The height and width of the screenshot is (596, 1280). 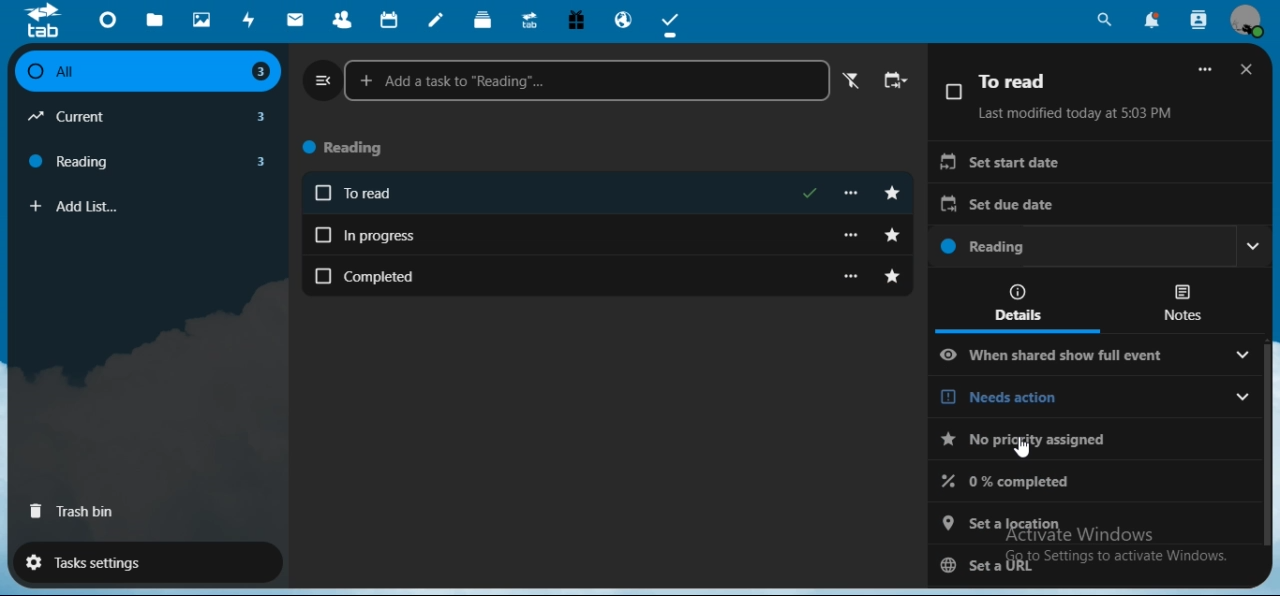 What do you see at coordinates (1200, 18) in the screenshot?
I see `search contacts` at bounding box center [1200, 18].